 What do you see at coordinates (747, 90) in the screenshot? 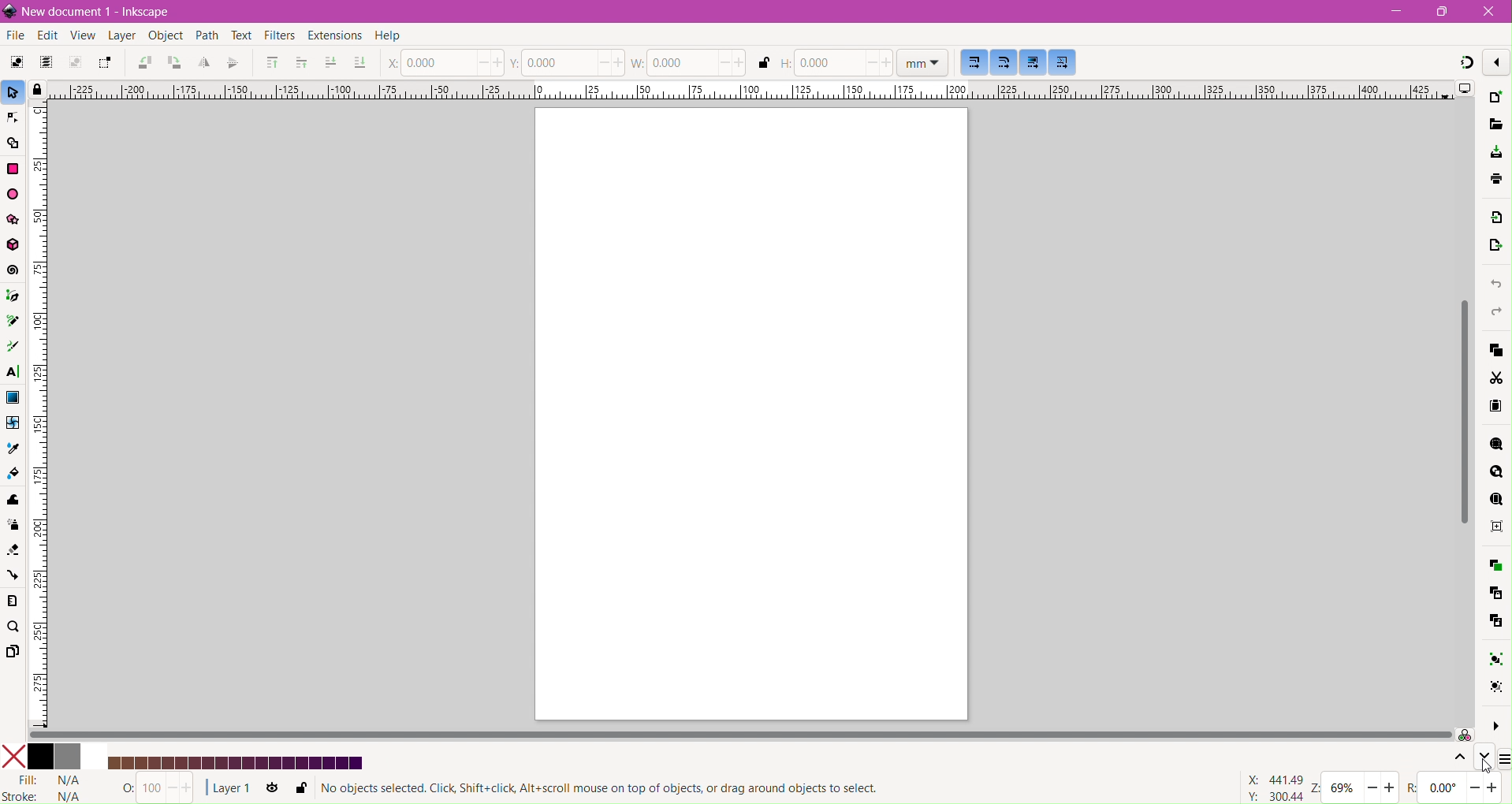
I see `Horizontal Ruler` at bounding box center [747, 90].